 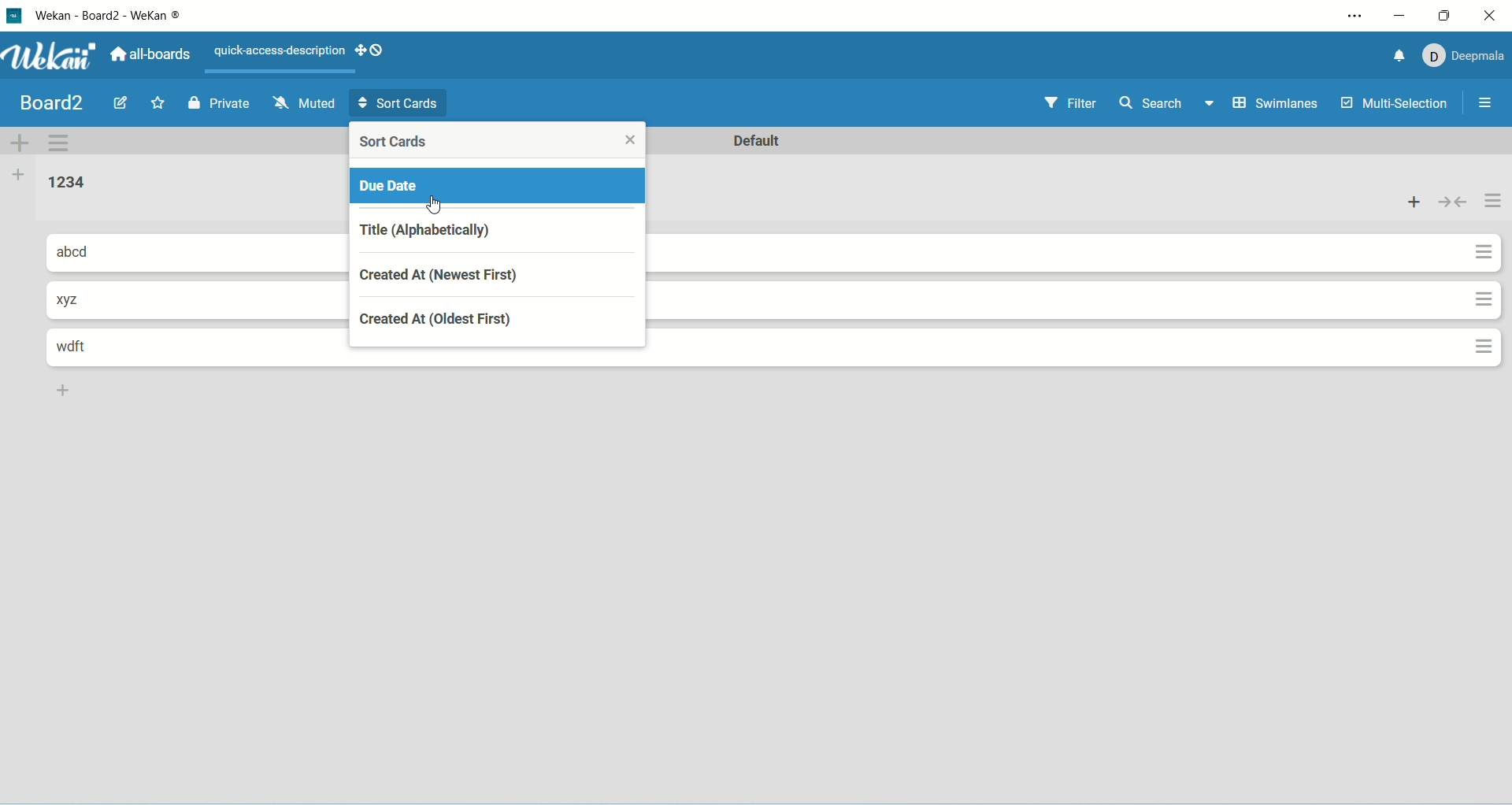 I want to click on add swimlane, so click(x=20, y=143).